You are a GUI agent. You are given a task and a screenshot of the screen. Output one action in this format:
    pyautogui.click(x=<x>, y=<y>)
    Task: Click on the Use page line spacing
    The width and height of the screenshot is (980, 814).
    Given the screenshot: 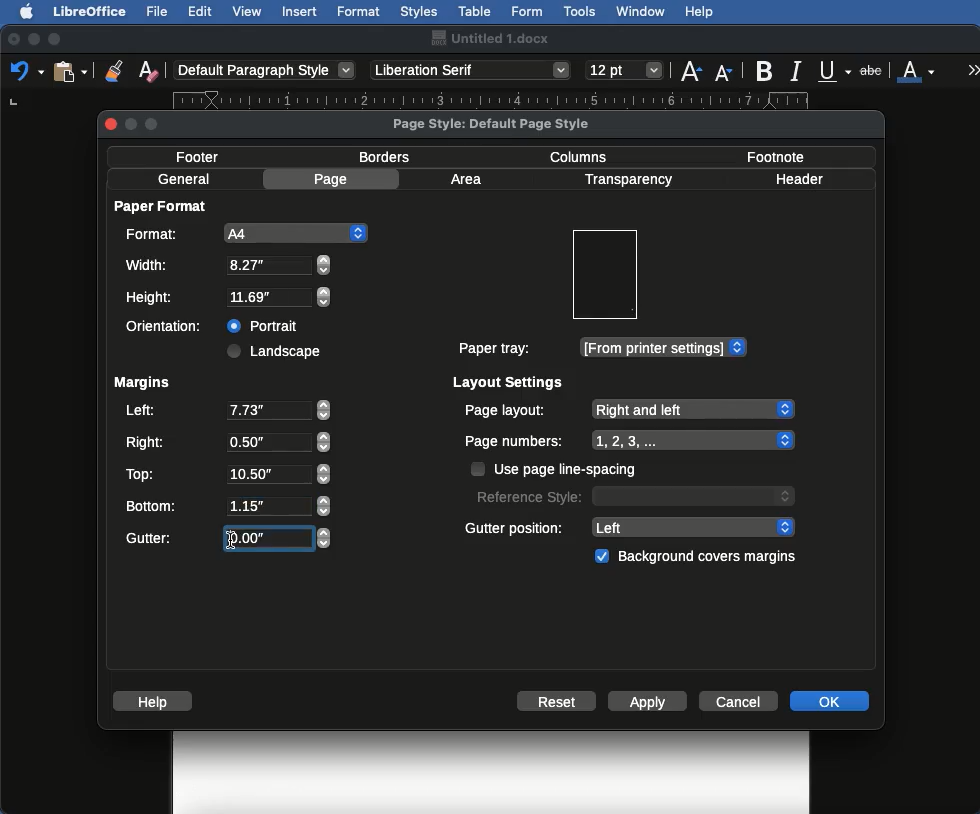 What is the action you would take?
    pyautogui.click(x=556, y=469)
    